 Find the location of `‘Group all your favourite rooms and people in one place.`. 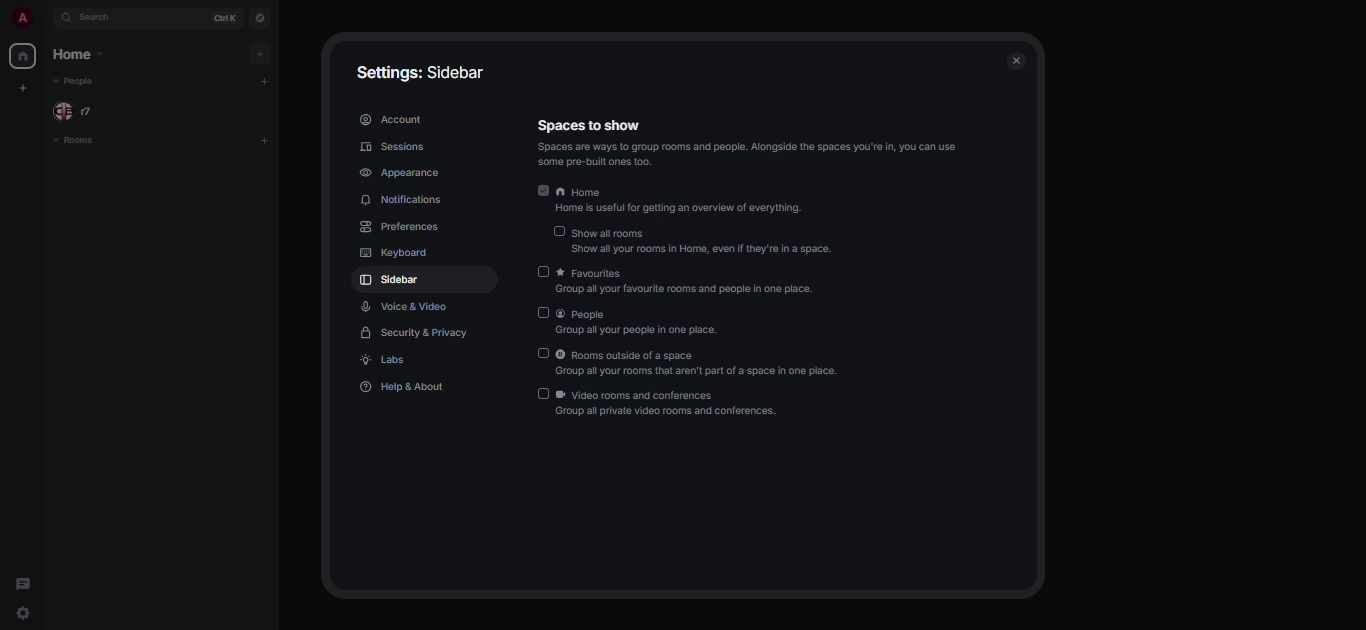

‘Group all your favourite rooms and people in one place. is located at coordinates (716, 291).